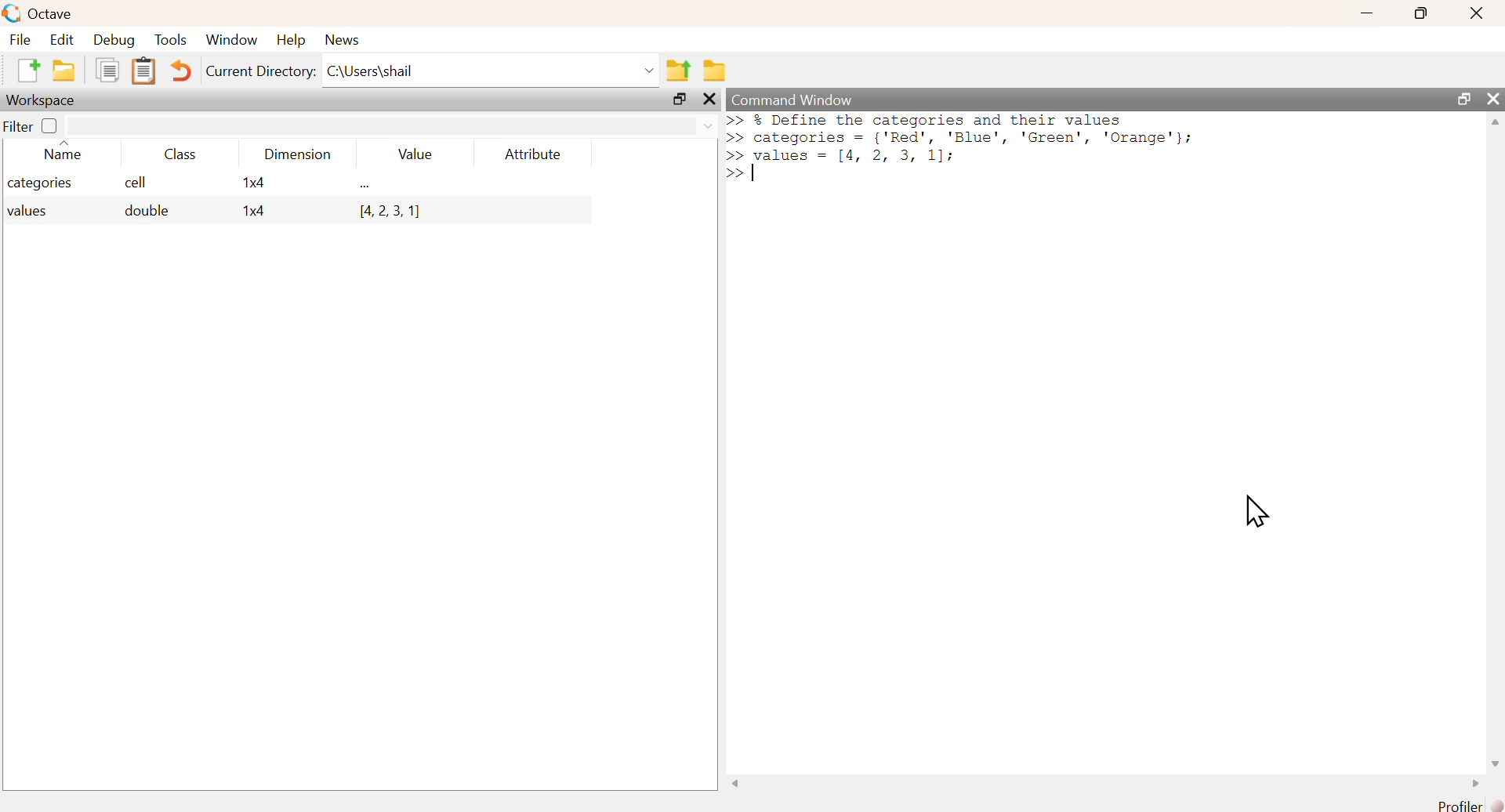 Image resolution: width=1505 pixels, height=812 pixels. I want to click on New folder, so click(65, 70).